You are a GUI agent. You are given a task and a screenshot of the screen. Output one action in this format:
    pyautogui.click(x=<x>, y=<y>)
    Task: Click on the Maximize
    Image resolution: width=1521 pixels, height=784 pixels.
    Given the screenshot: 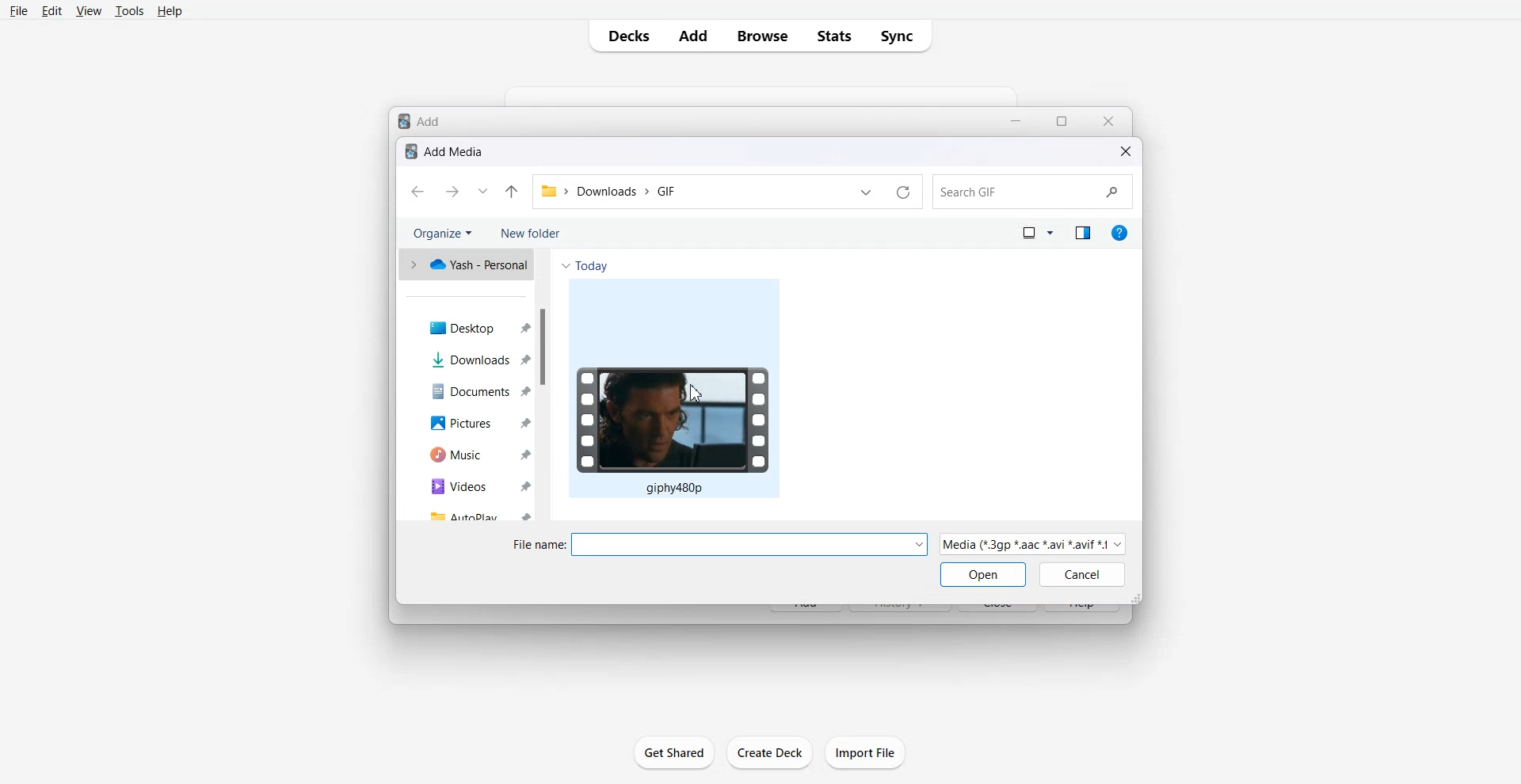 What is the action you would take?
    pyautogui.click(x=1064, y=121)
    